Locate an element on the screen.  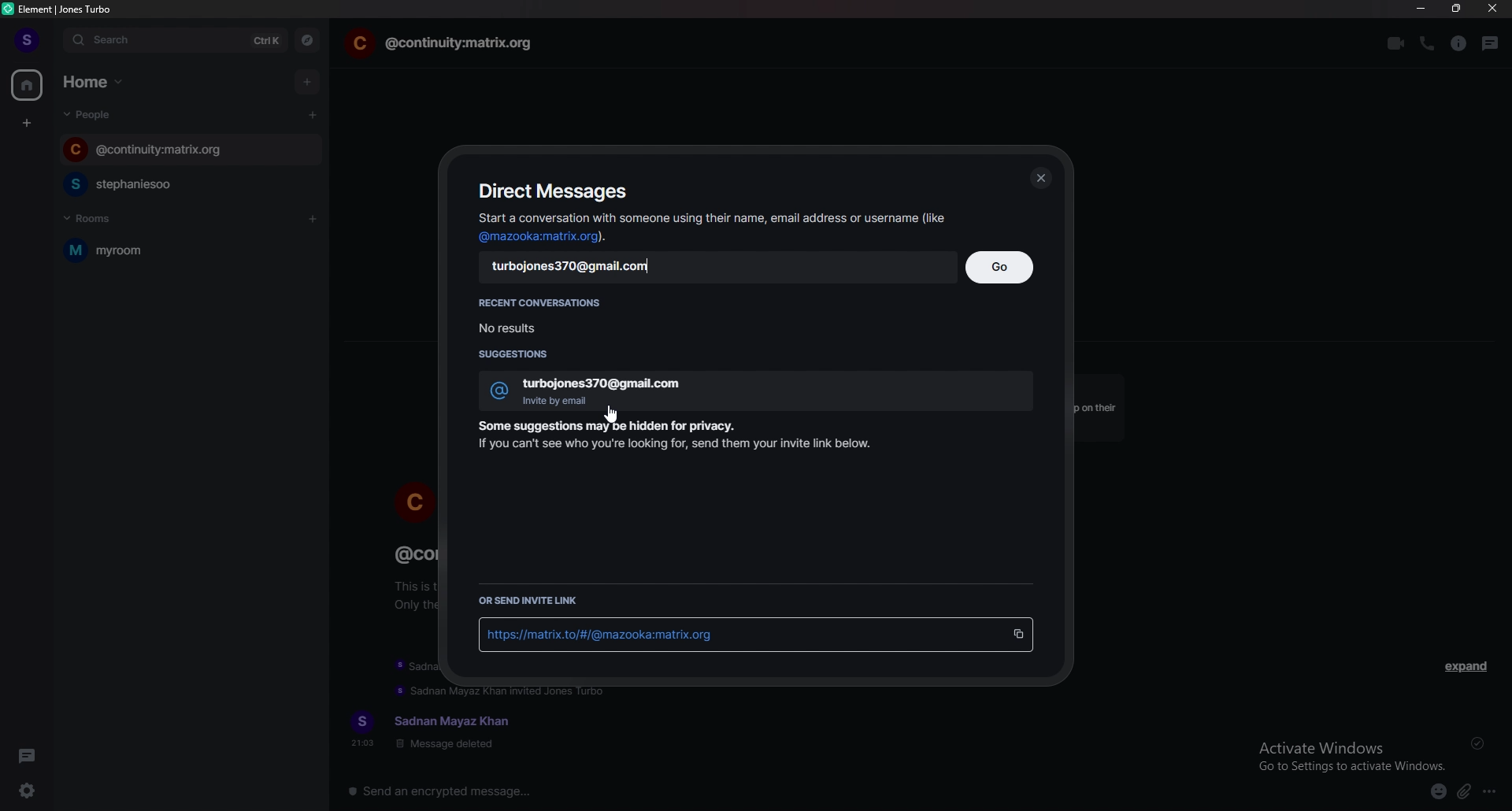
copy is located at coordinates (1018, 634).